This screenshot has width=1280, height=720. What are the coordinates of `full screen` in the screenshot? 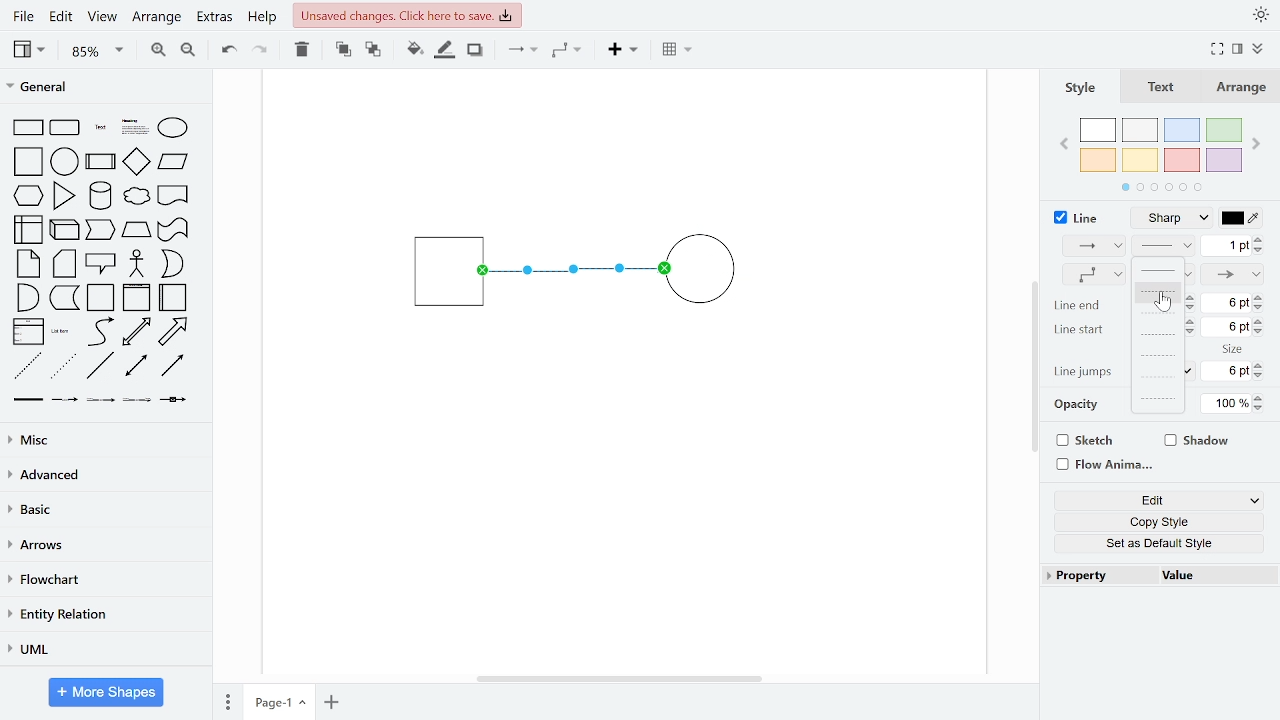 It's located at (1218, 50).